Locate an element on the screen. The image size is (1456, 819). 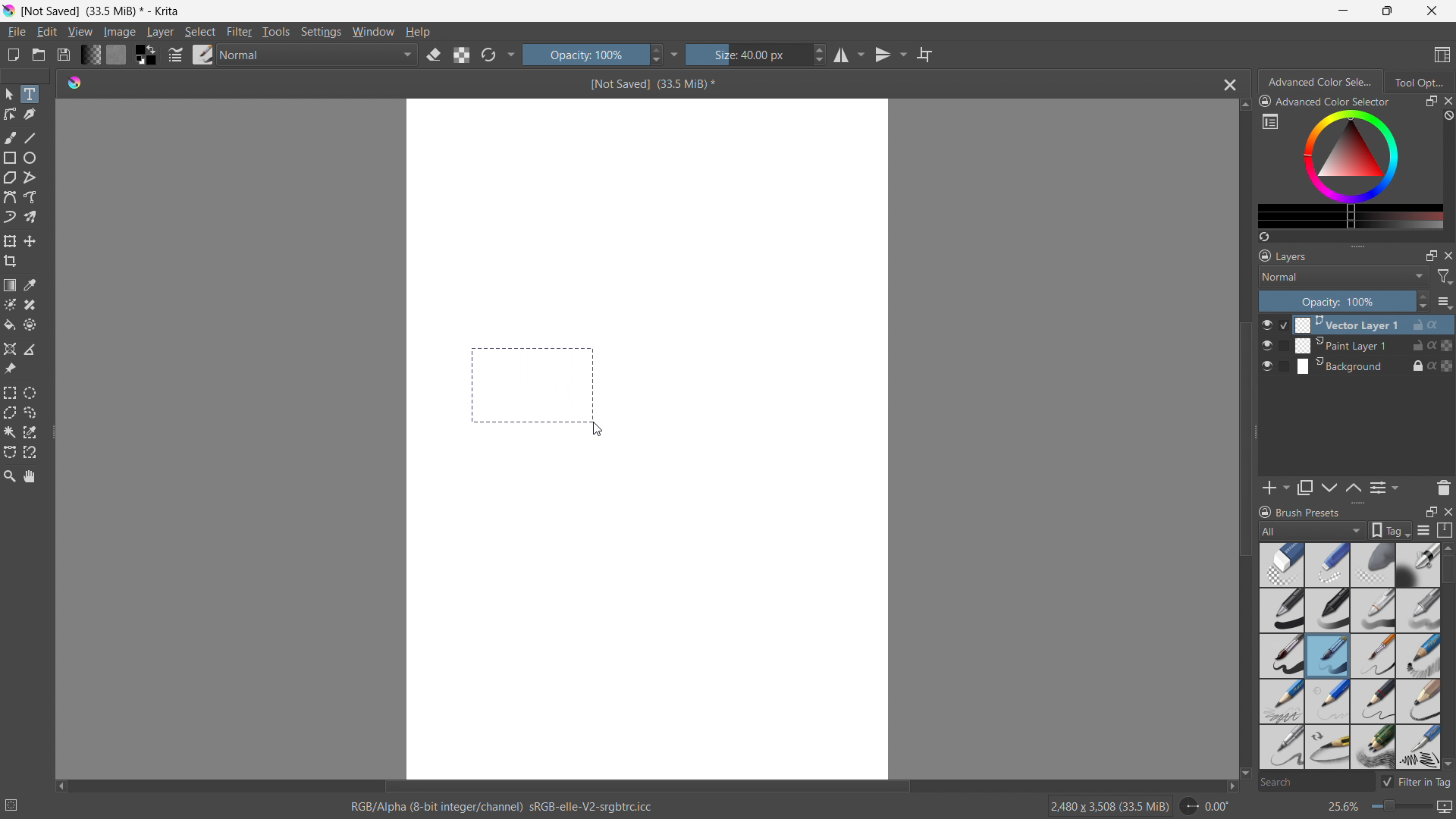
new is located at coordinates (13, 55).